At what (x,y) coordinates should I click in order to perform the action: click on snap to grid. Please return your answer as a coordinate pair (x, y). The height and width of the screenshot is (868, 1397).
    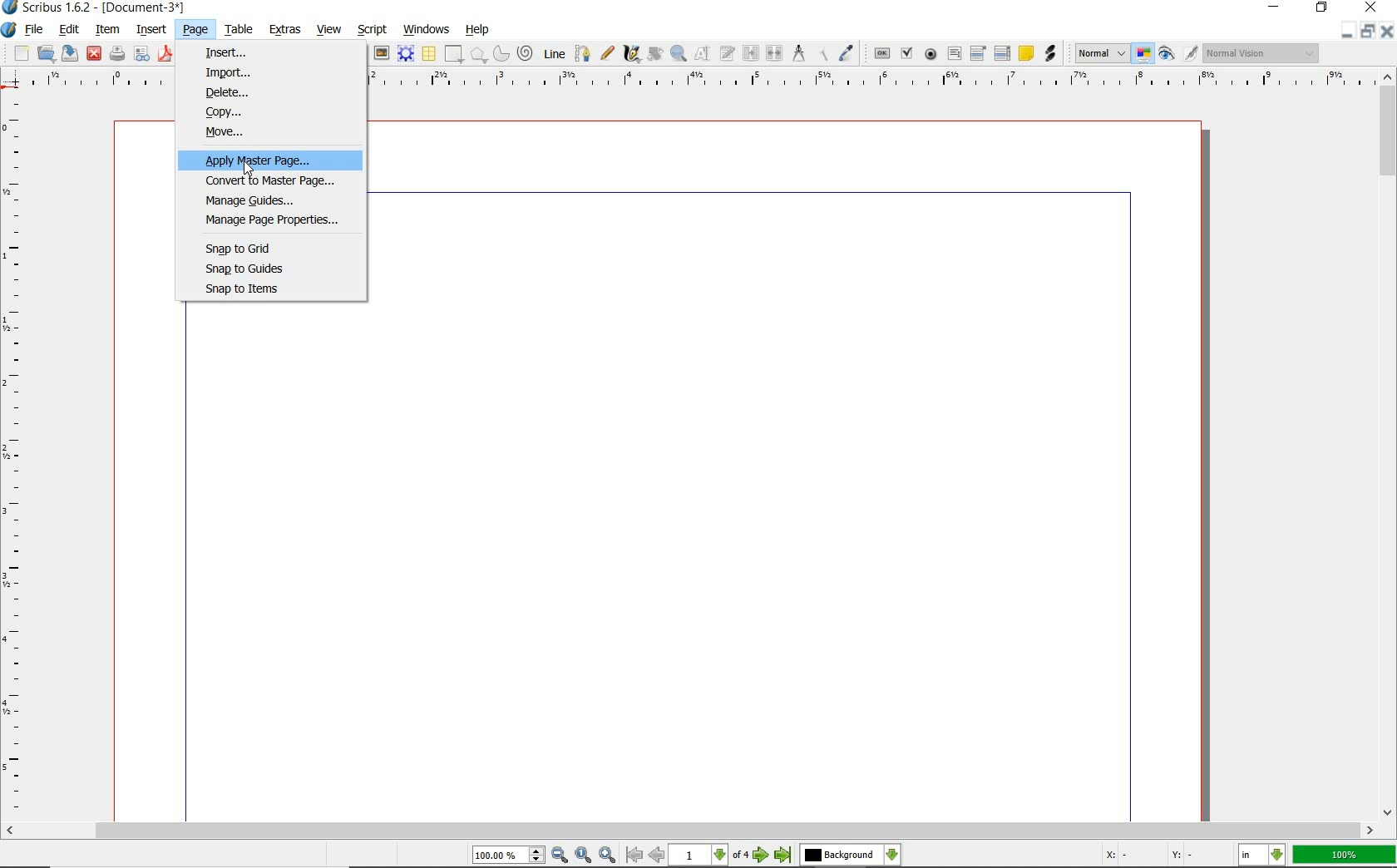
    Looking at the image, I should click on (255, 248).